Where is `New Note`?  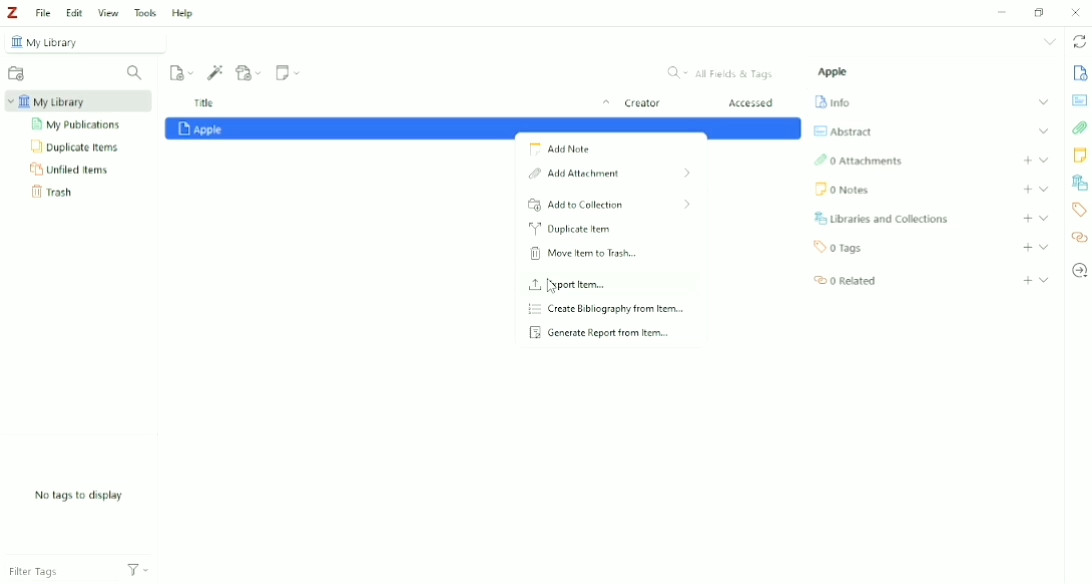 New Note is located at coordinates (288, 73).